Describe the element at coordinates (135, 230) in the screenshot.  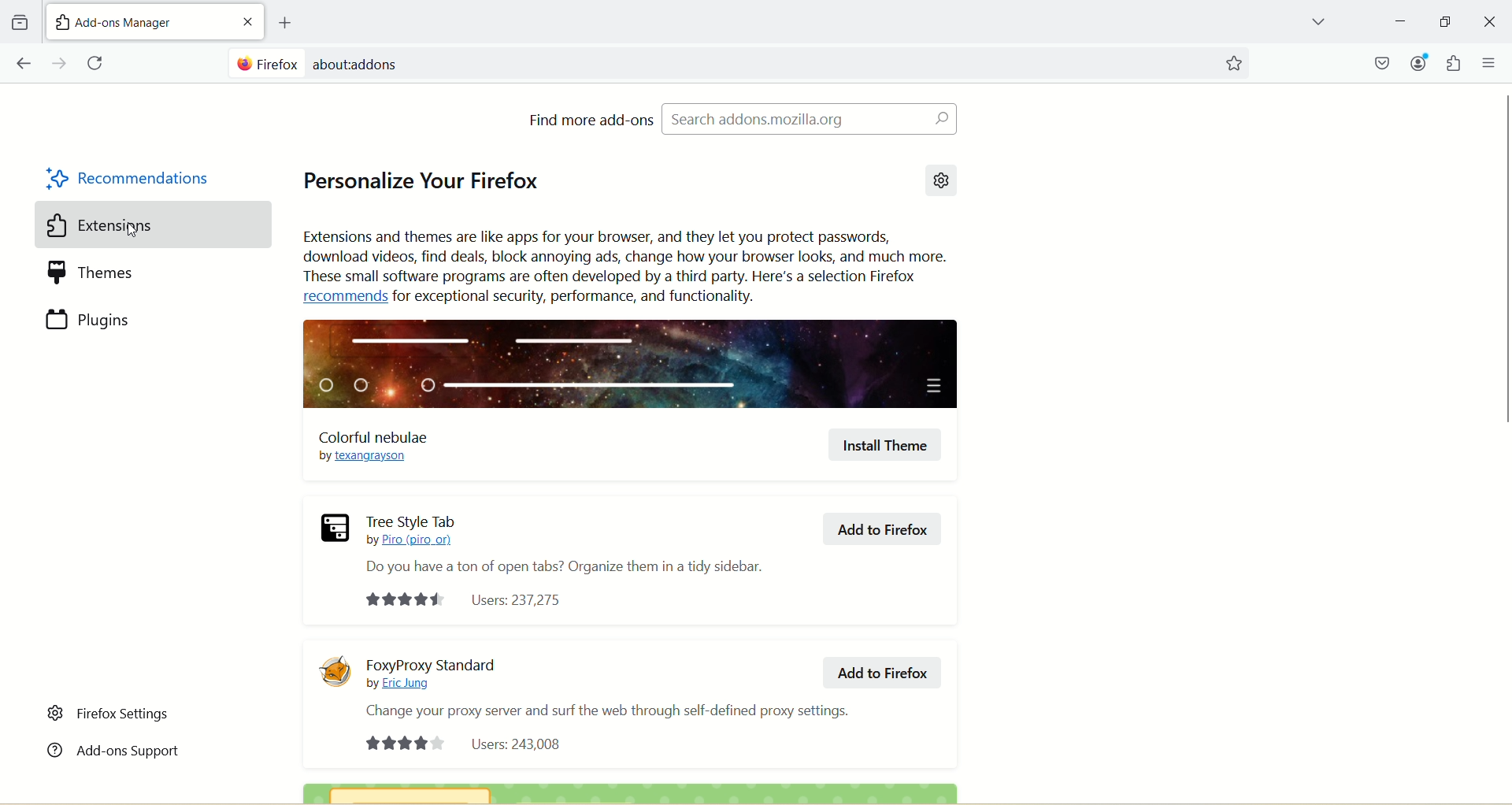
I see `Cursor` at that location.